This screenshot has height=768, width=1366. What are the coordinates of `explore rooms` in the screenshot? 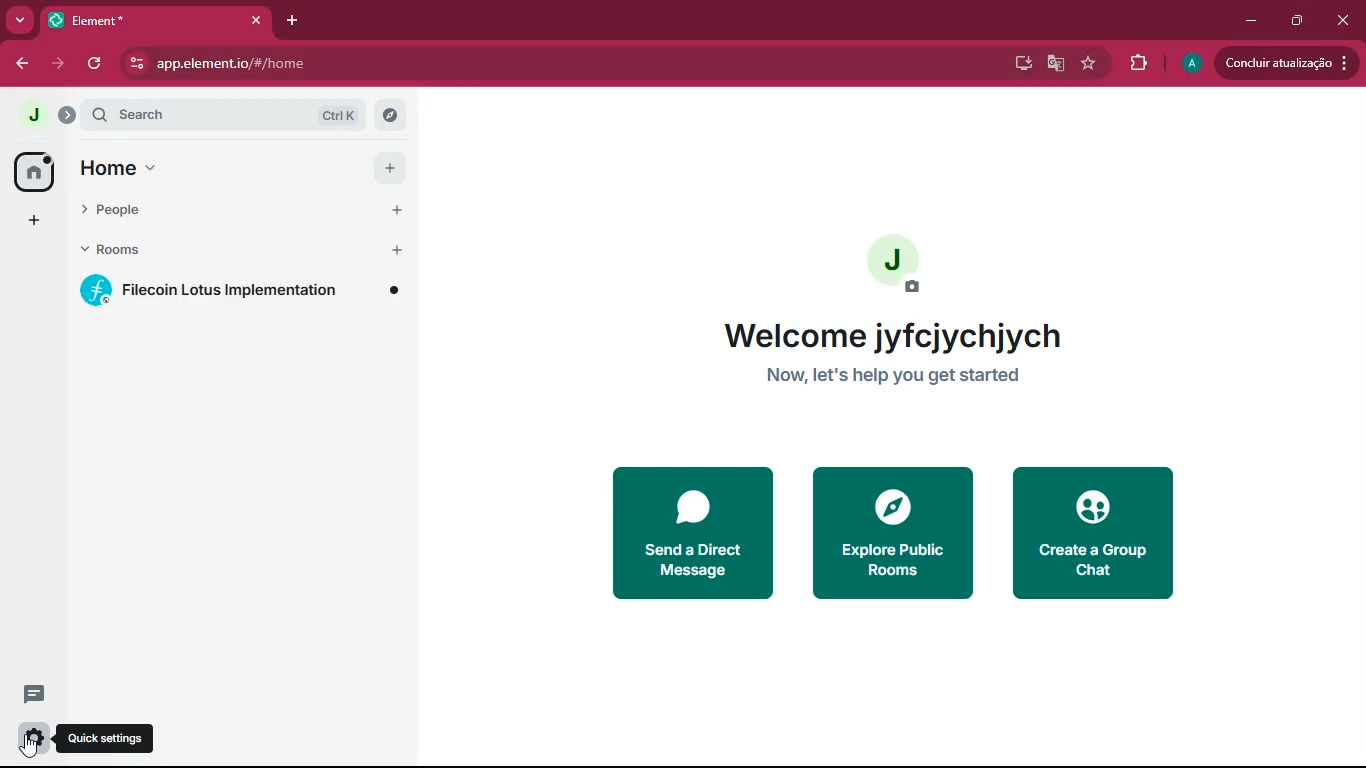 It's located at (390, 116).